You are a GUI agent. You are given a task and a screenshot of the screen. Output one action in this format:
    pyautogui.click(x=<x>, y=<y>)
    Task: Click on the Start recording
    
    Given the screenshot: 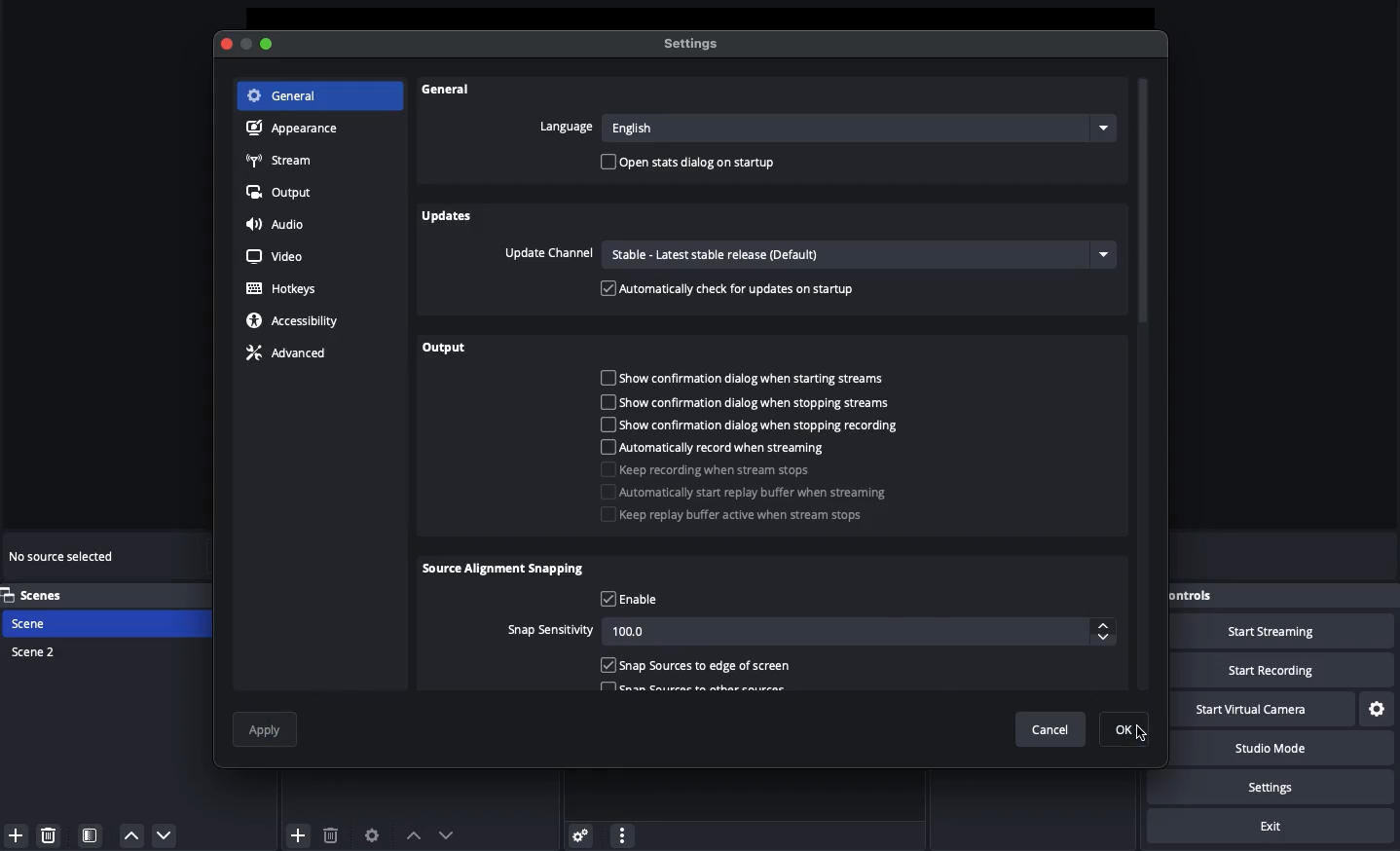 What is the action you would take?
    pyautogui.click(x=1295, y=671)
    